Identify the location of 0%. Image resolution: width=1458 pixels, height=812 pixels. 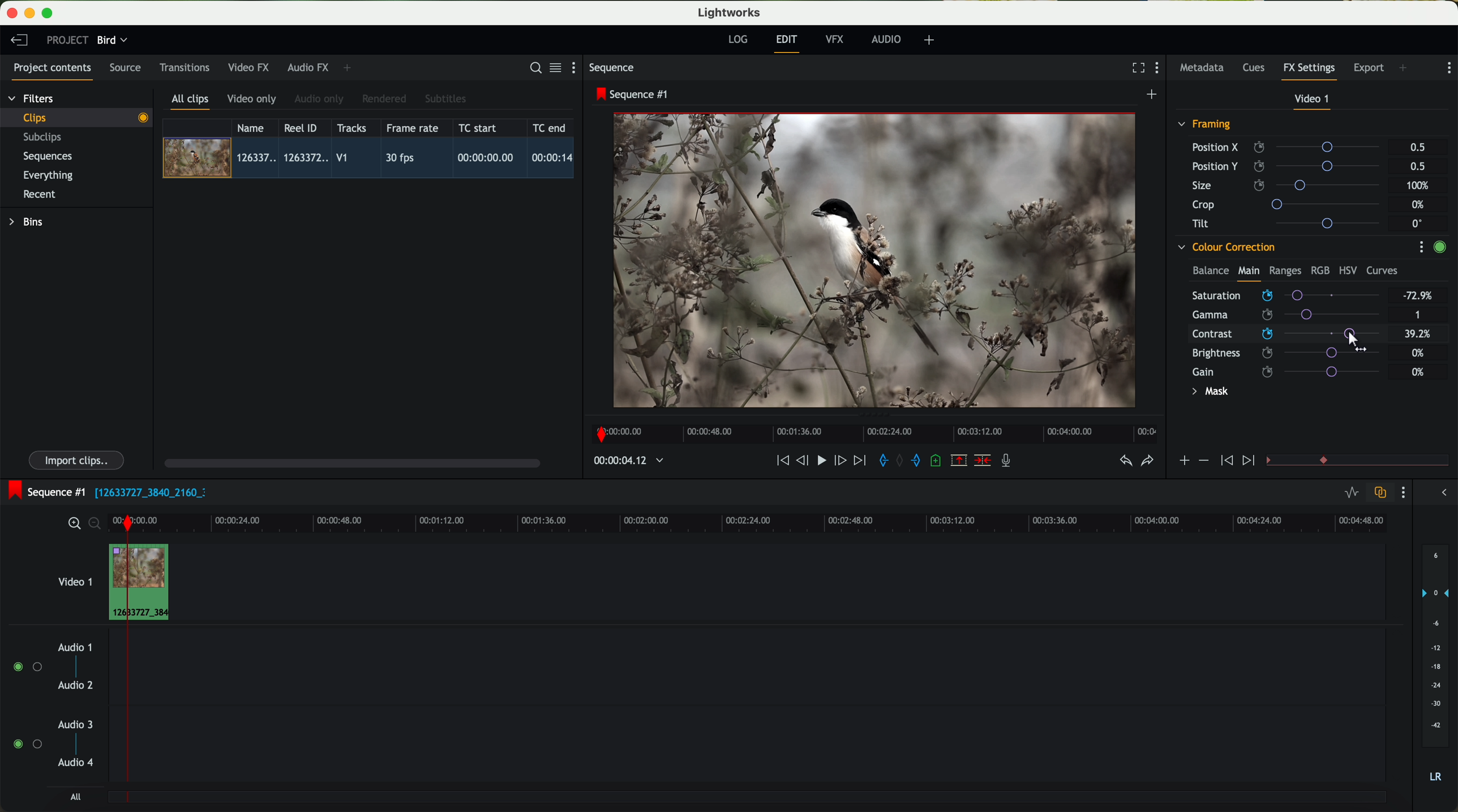
(1418, 351).